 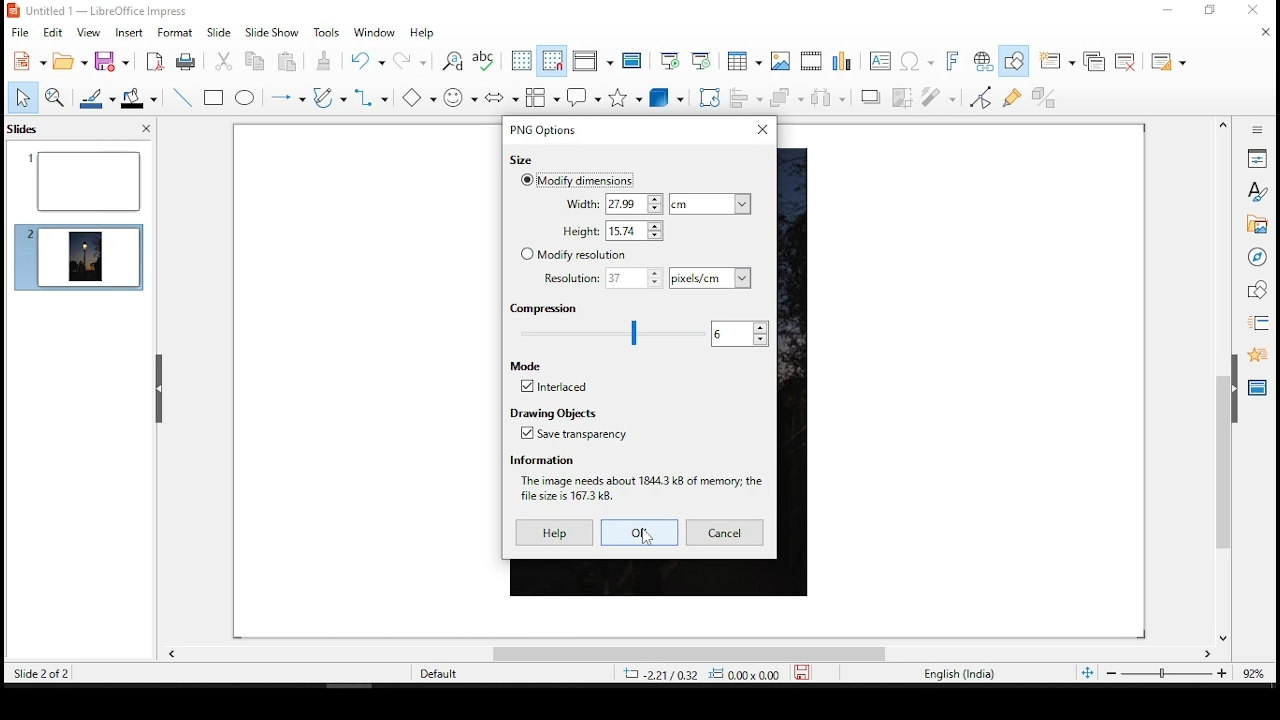 What do you see at coordinates (1259, 387) in the screenshot?
I see `master slides` at bounding box center [1259, 387].